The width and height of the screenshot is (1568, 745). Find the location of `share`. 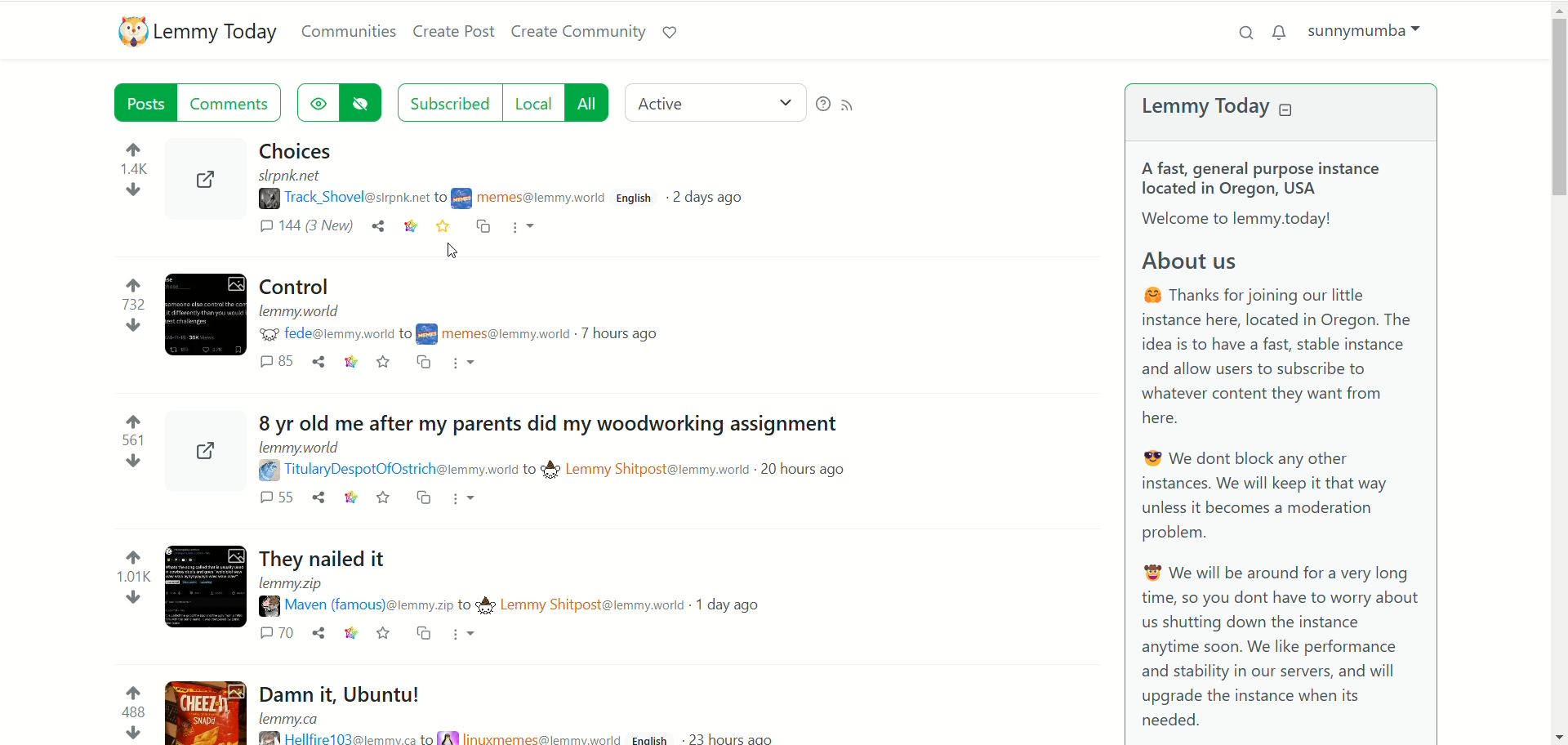

share is located at coordinates (207, 185).